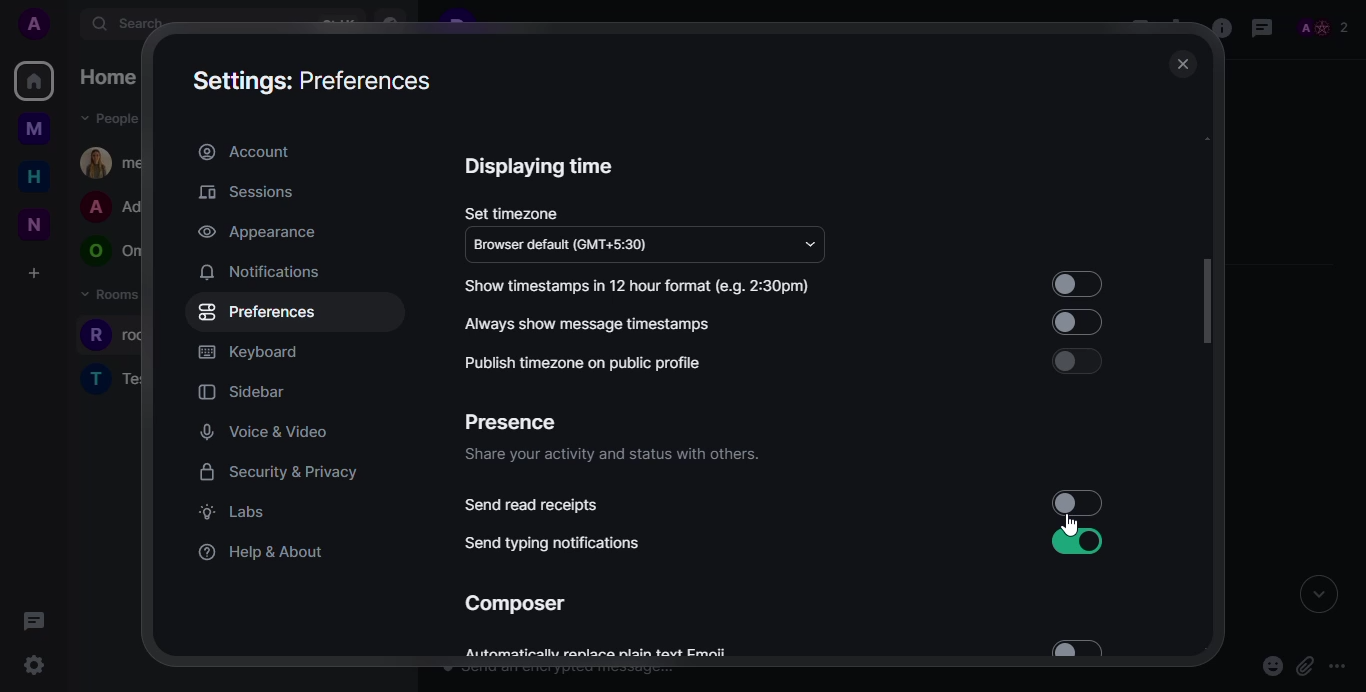 The image size is (1366, 692). What do you see at coordinates (33, 272) in the screenshot?
I see `create a space` at bounding box center [33, 272].